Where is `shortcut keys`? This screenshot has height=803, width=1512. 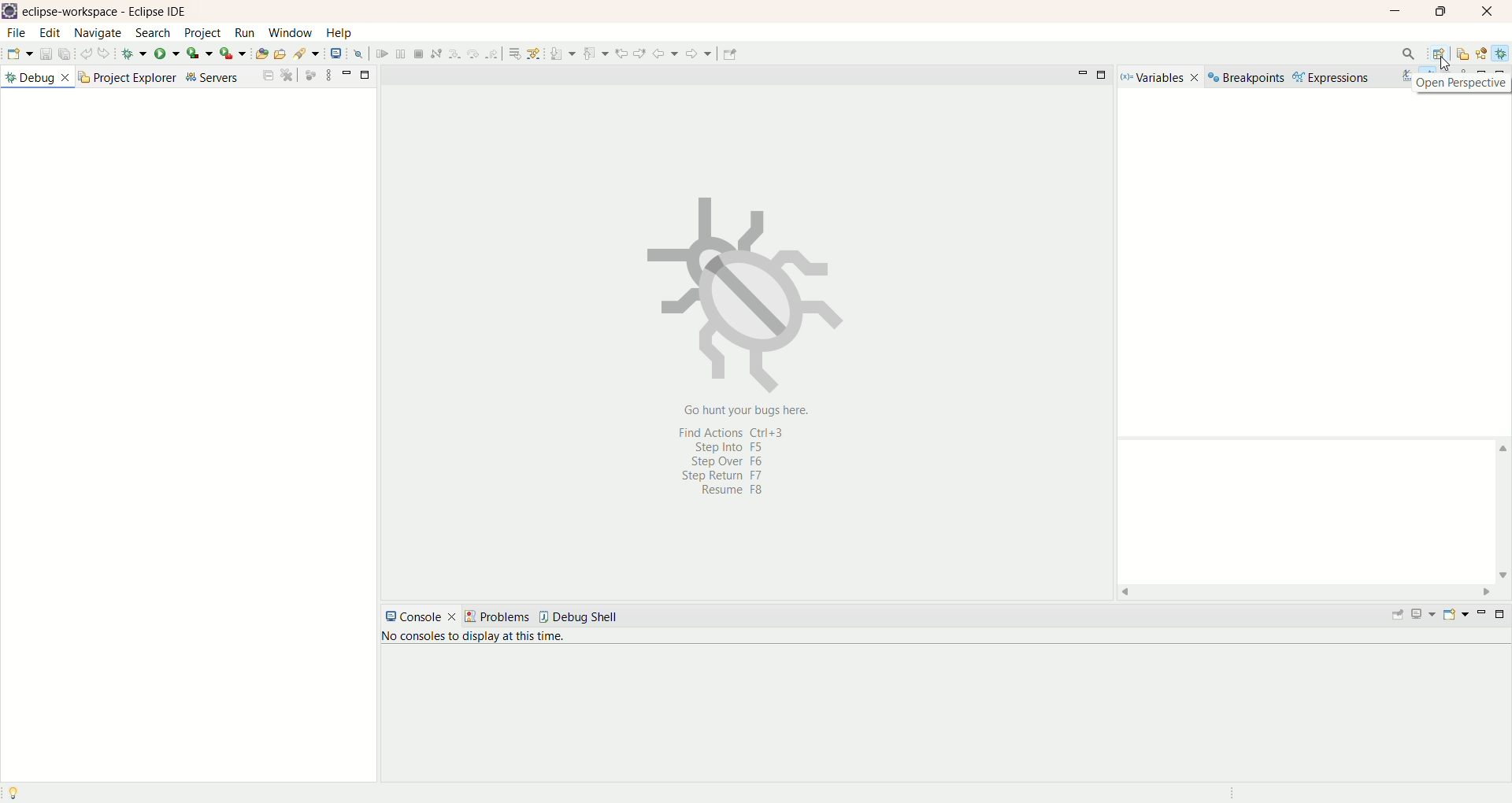 shortcut keys is located at coordinates (730, 463).